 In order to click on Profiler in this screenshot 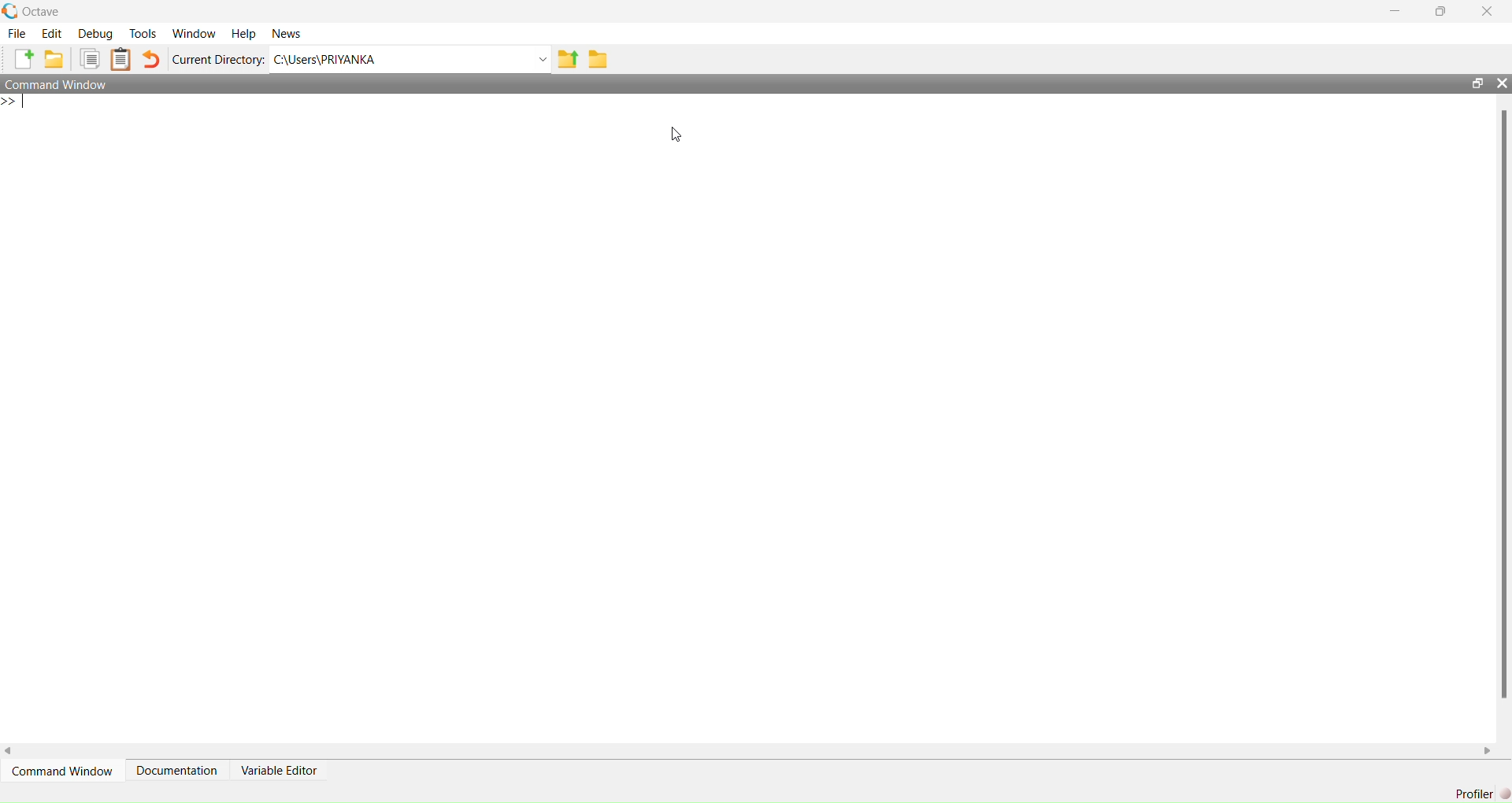, I will do `click(1482, 794)`.